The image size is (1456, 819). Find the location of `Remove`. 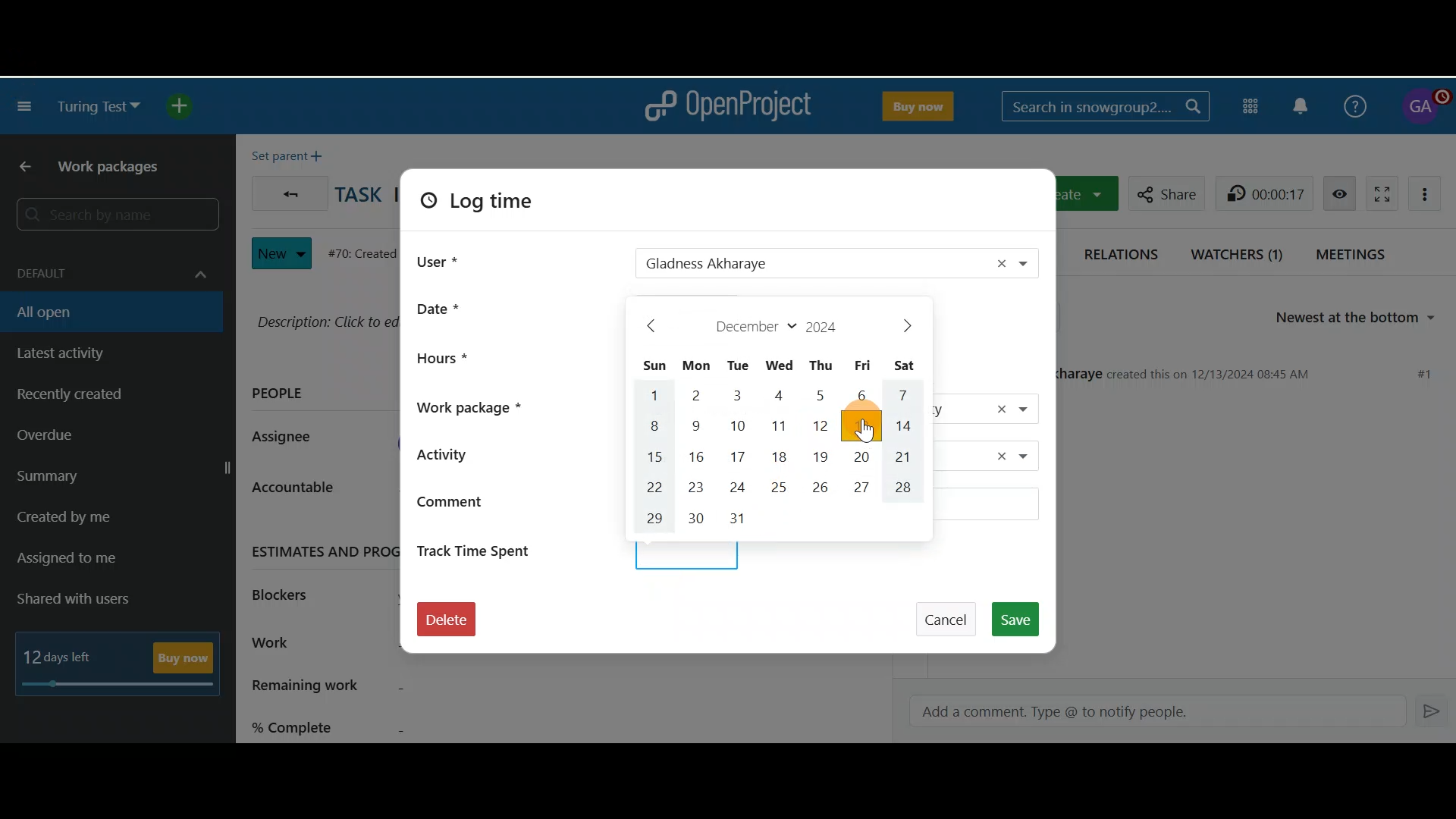

Remove is located at coordinates (993, 457).